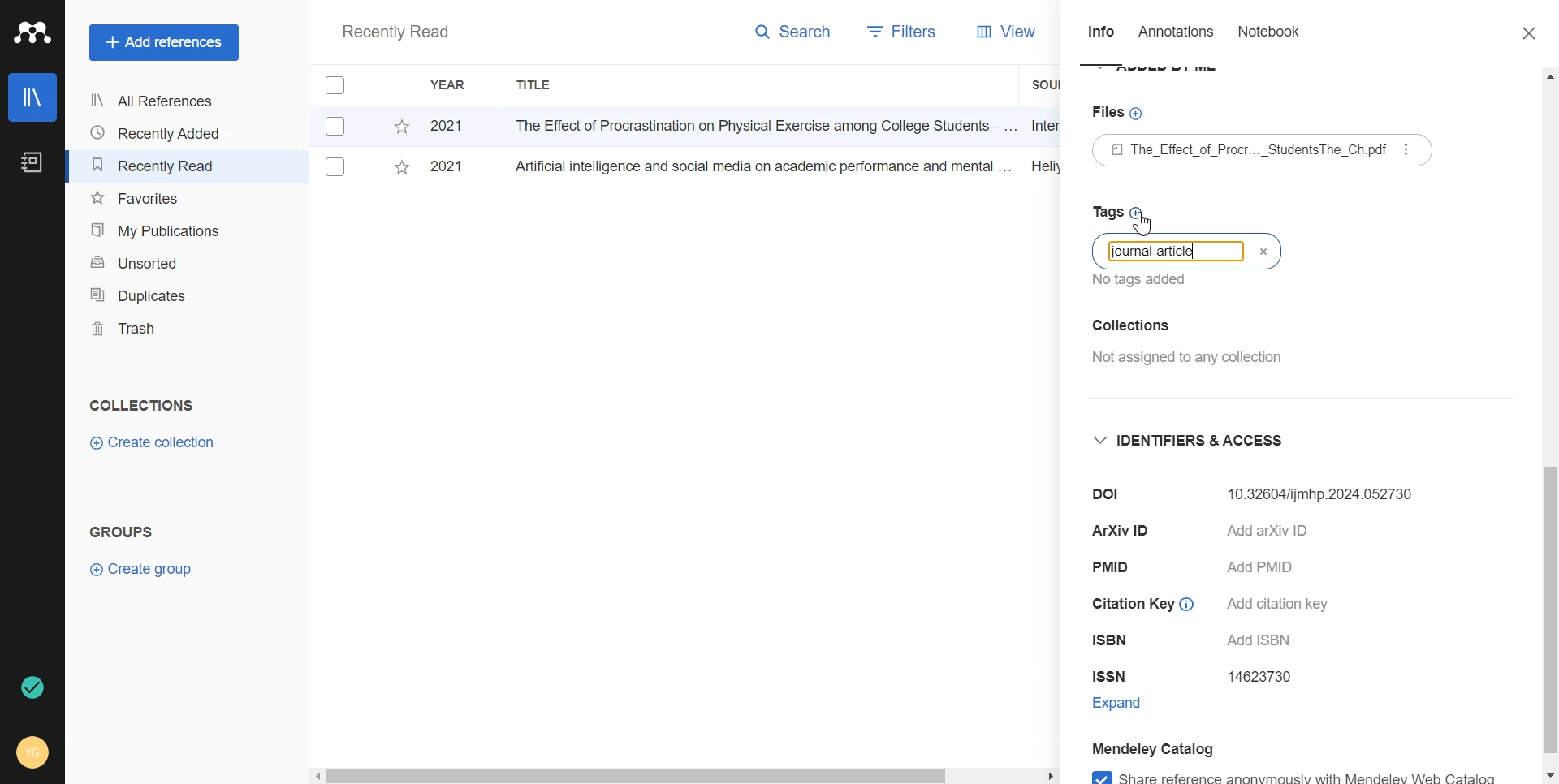 The height and width of the screenshot is (784, 1559). I want to click on The_Effect of Procr..._StudentsThe_Ch.pdf, so click(1263, 150).